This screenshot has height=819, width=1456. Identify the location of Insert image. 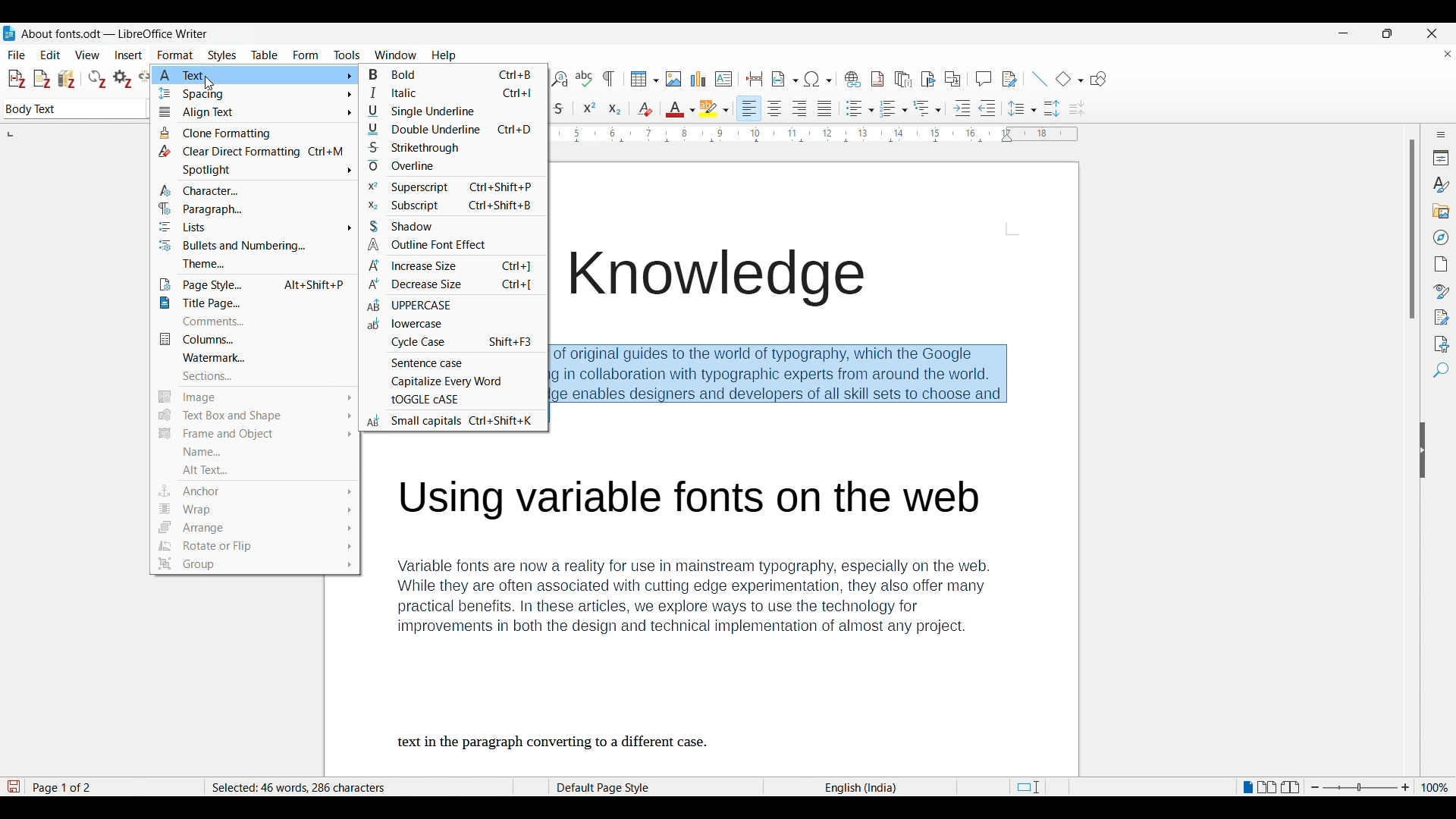
(674, 79).